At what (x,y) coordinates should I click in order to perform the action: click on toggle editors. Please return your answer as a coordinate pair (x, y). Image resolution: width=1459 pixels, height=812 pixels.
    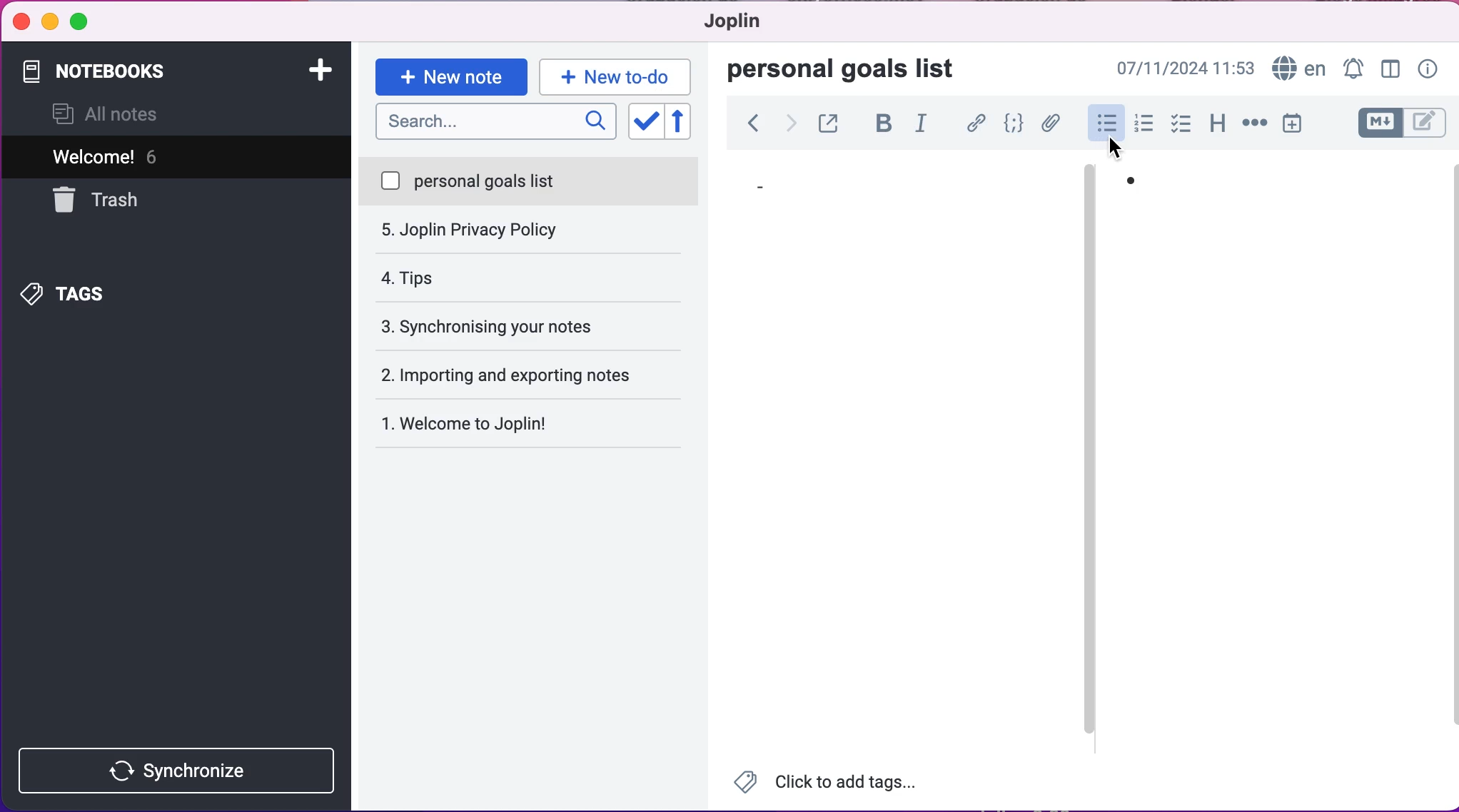
    Looking at the image, I should click on (1389, 123).